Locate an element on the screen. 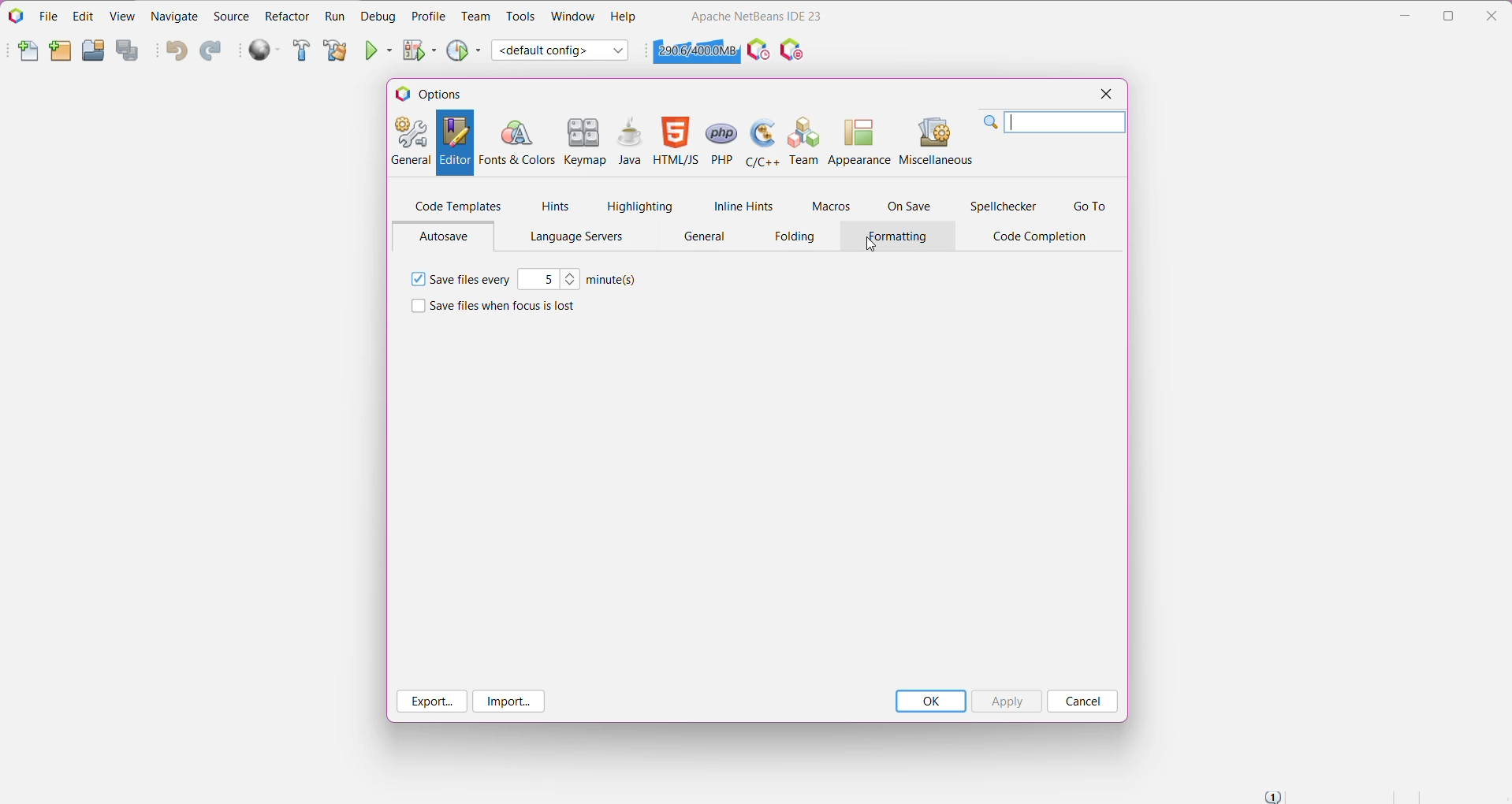 This screenshot has height=804, width=1512. Set Project Configuration is located at coordinates (561, 50).